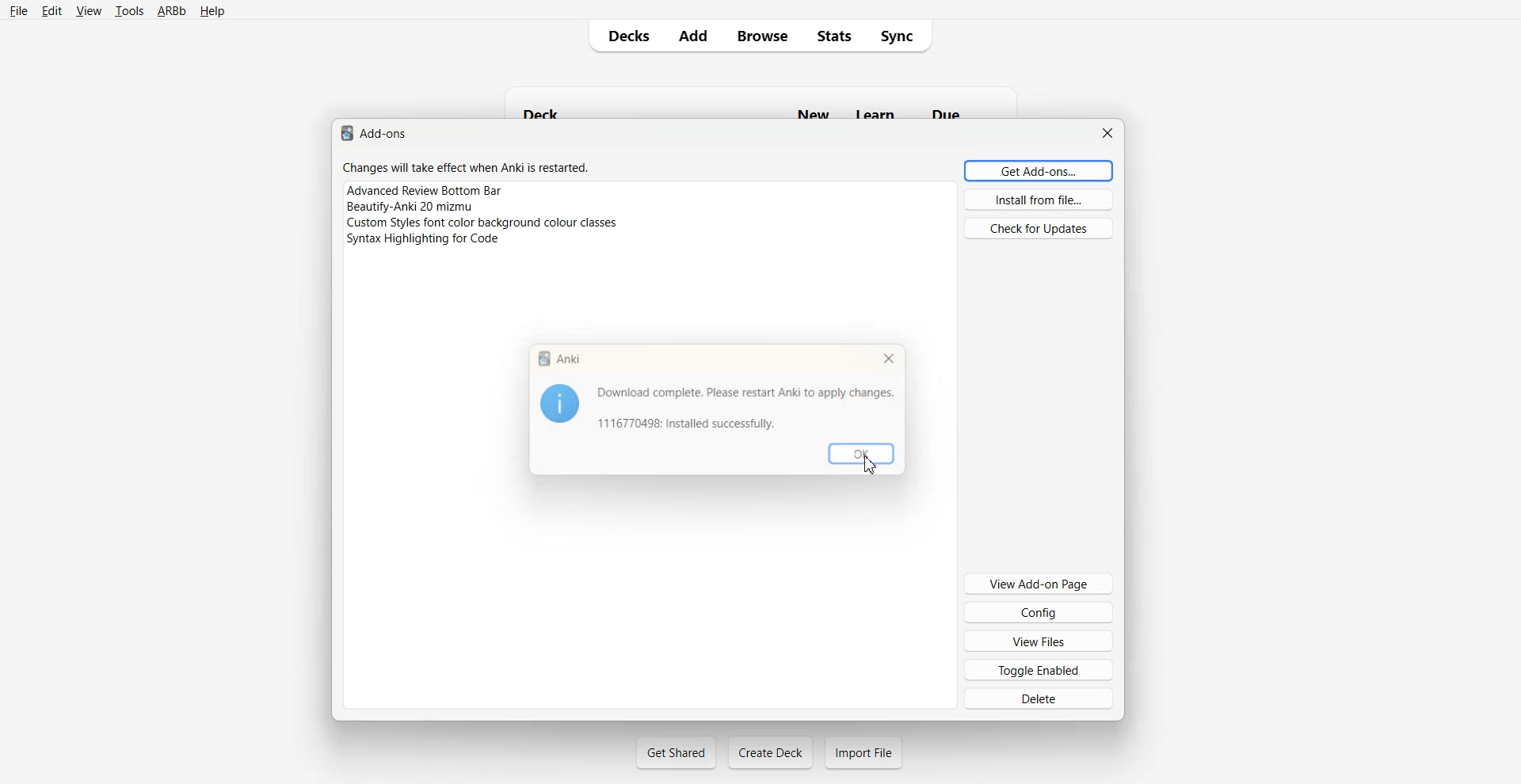  I want to click on Changes will take effect when Anki is restarted, so click(465, 166).